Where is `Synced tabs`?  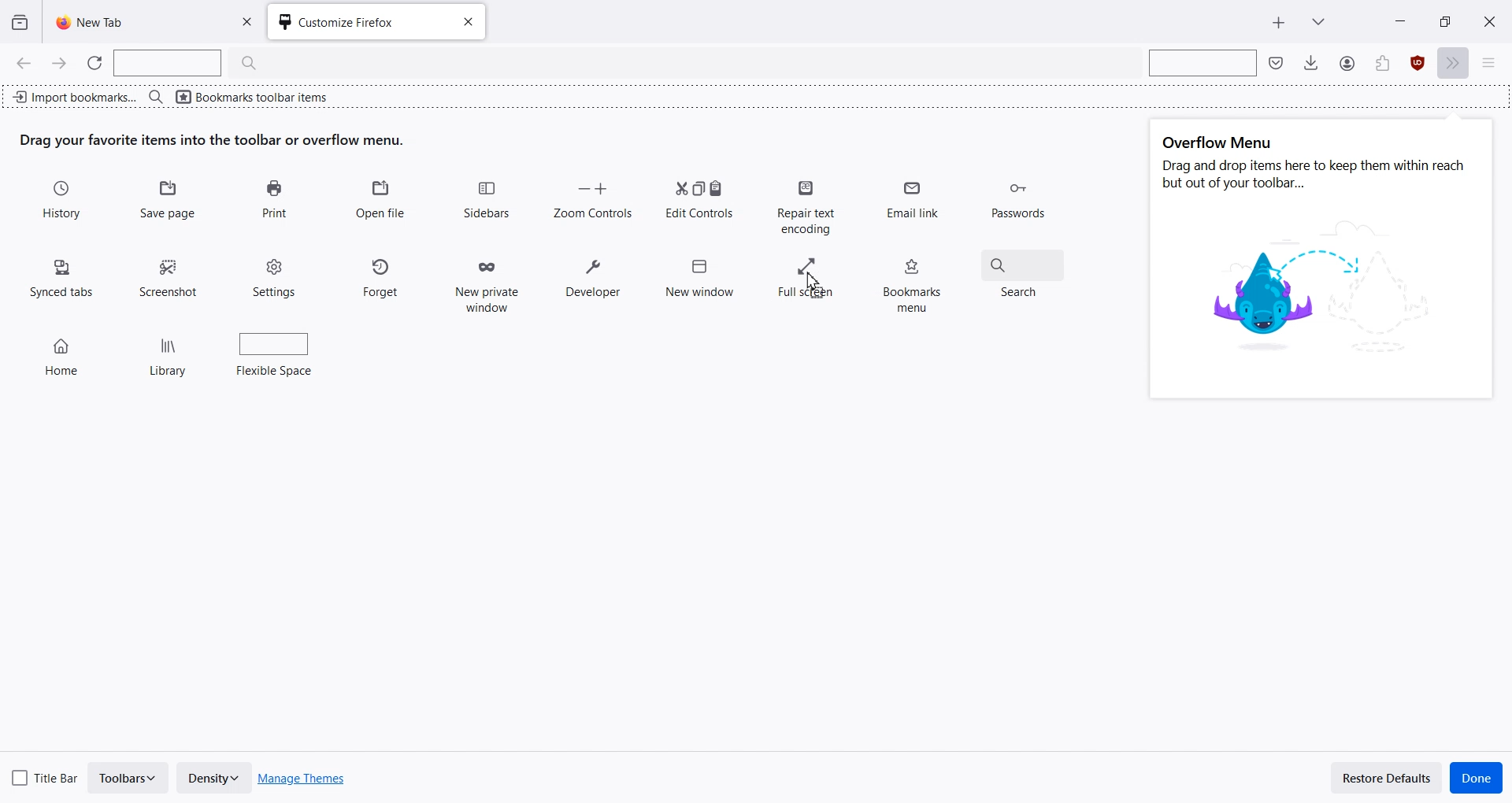 Synced tabs is located at coordinates (62, 276).